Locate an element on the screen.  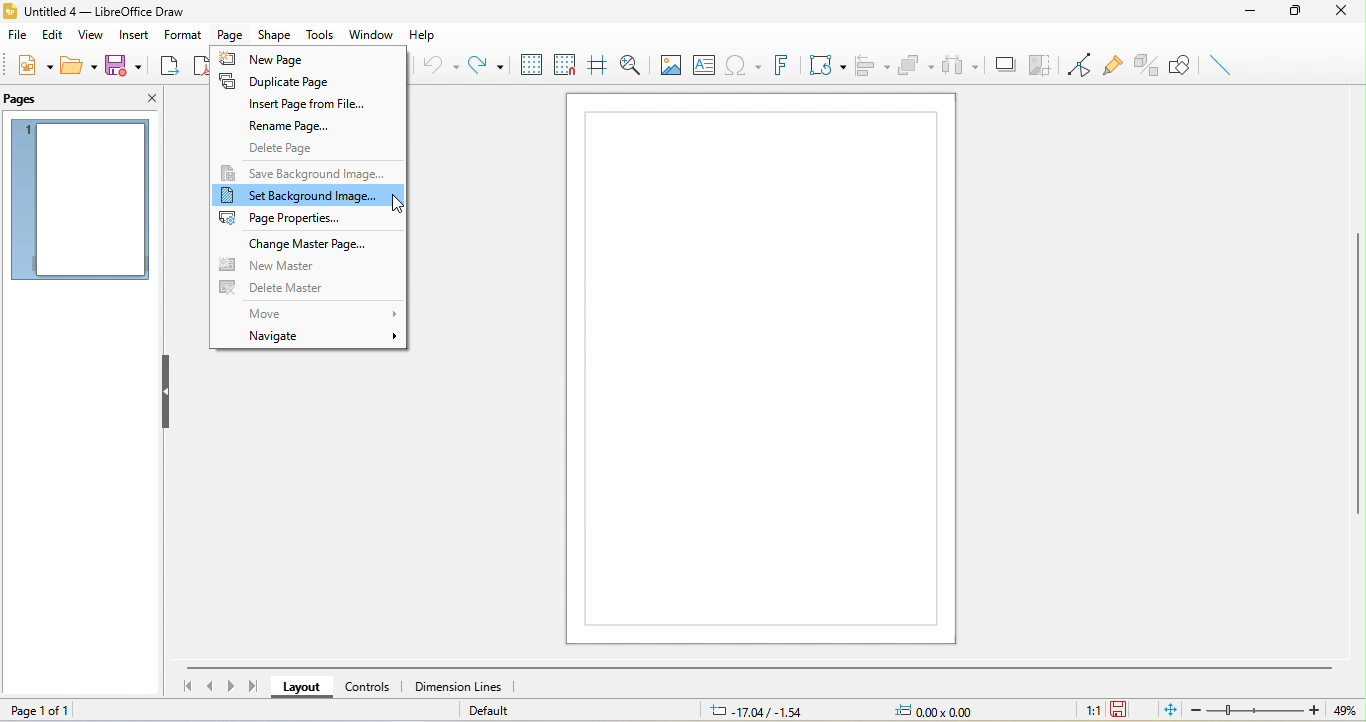
1:1 is located at coordinates (1080, 711).